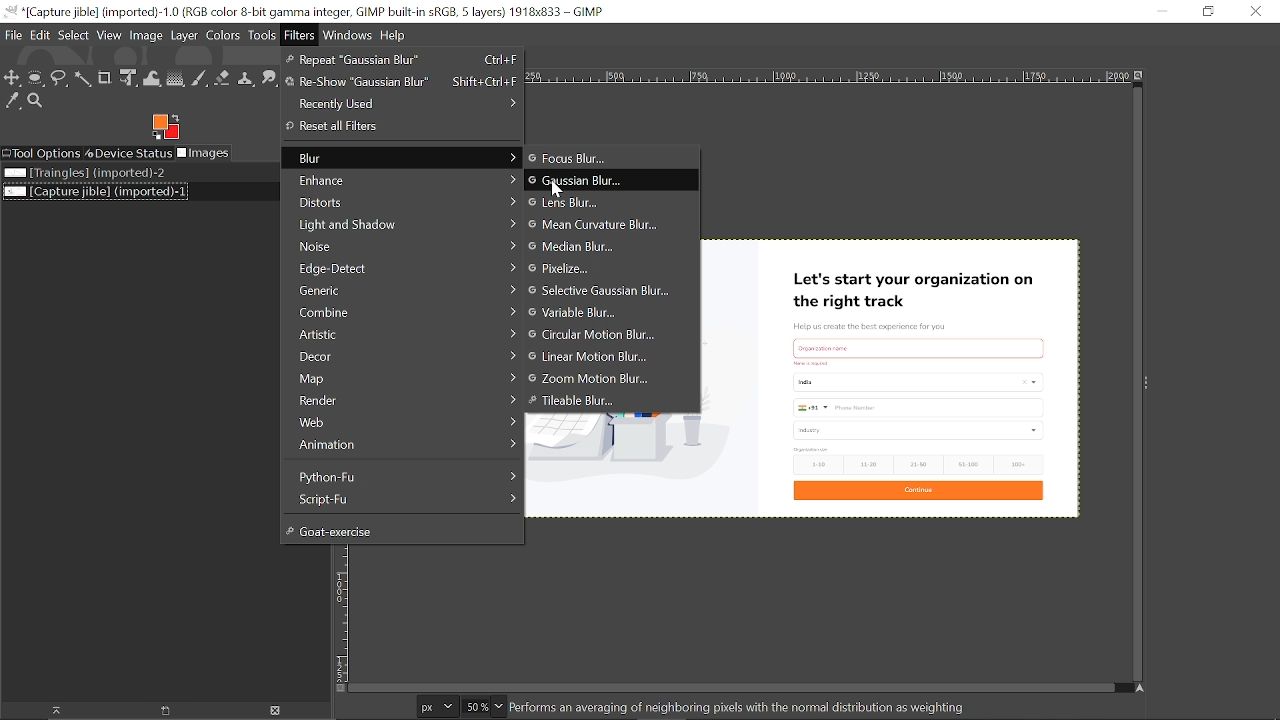  I want to click on Current image, so click(893, 377).